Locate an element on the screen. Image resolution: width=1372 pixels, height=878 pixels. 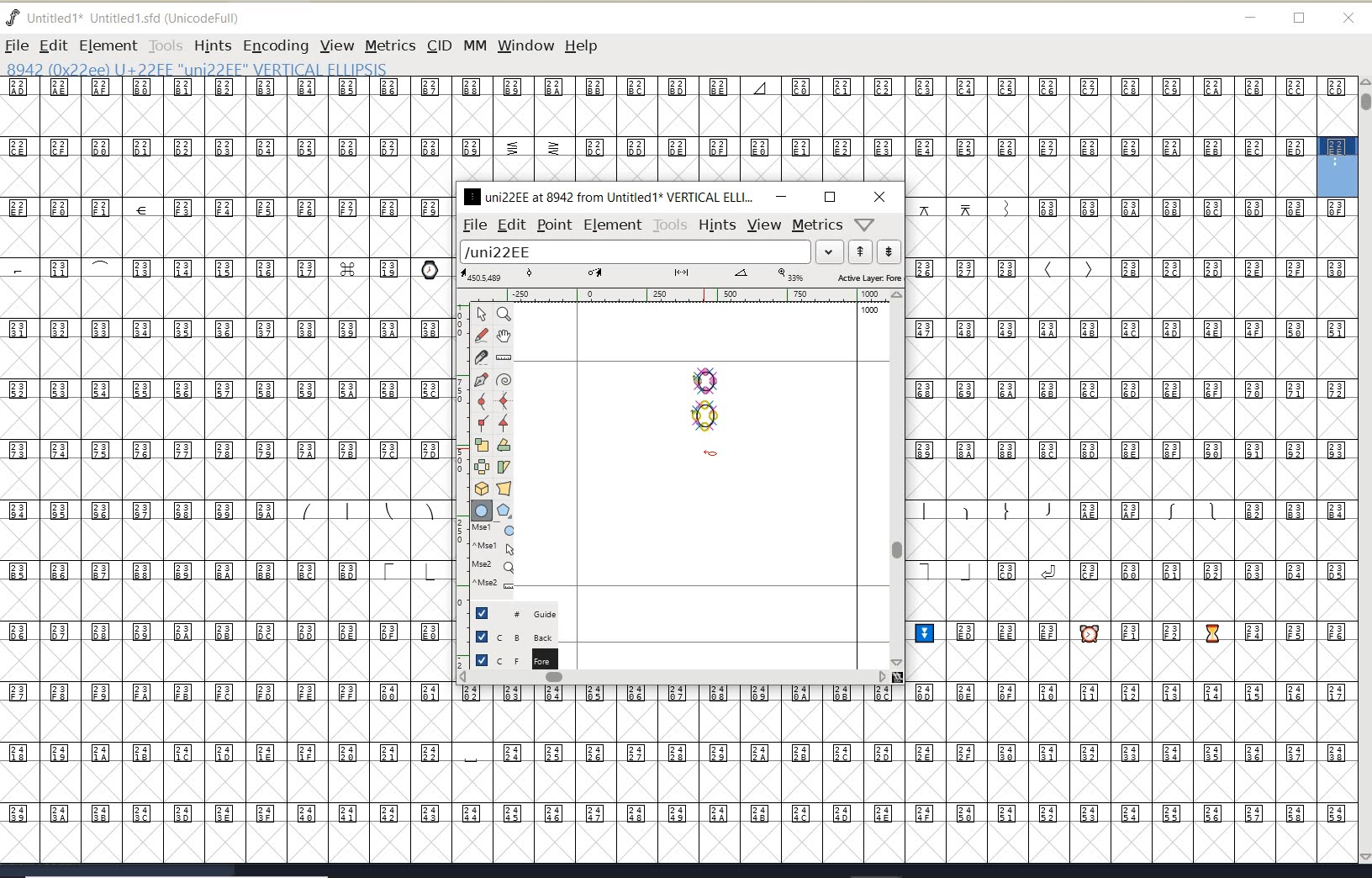
cut splines in two is located at coordinates (481, 357).